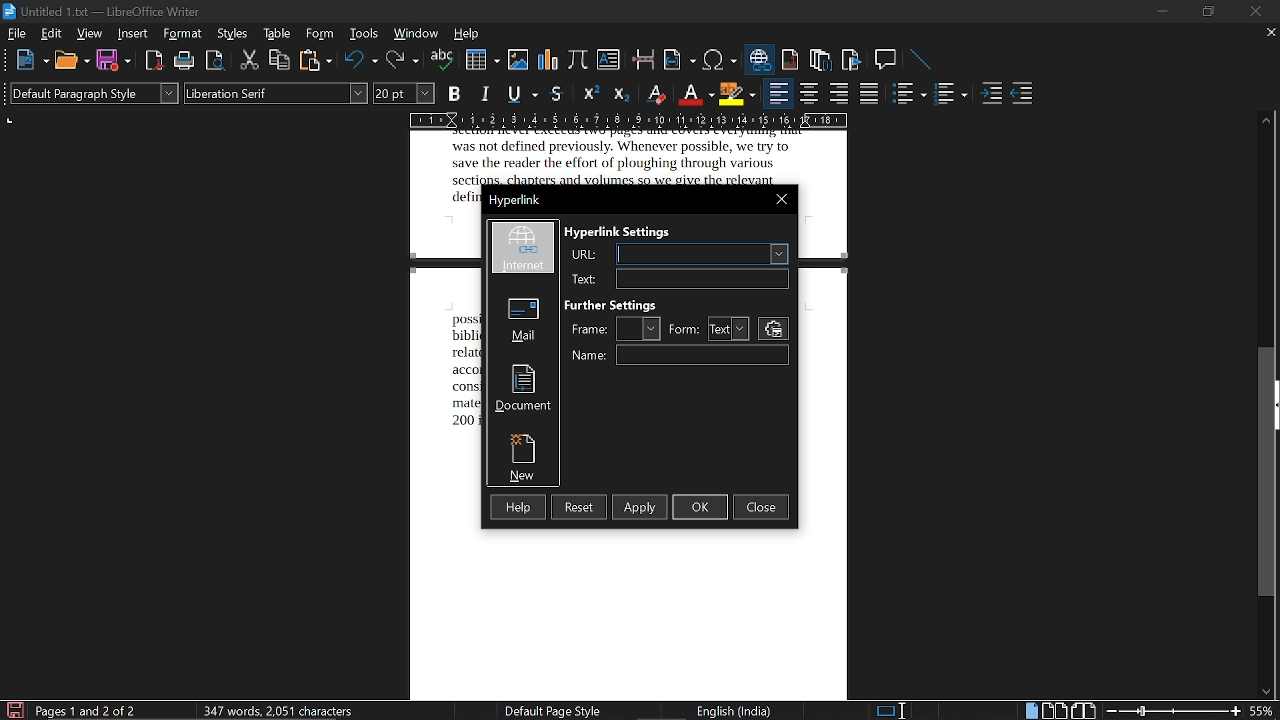  I want to click on eraser, so click(657, 93).